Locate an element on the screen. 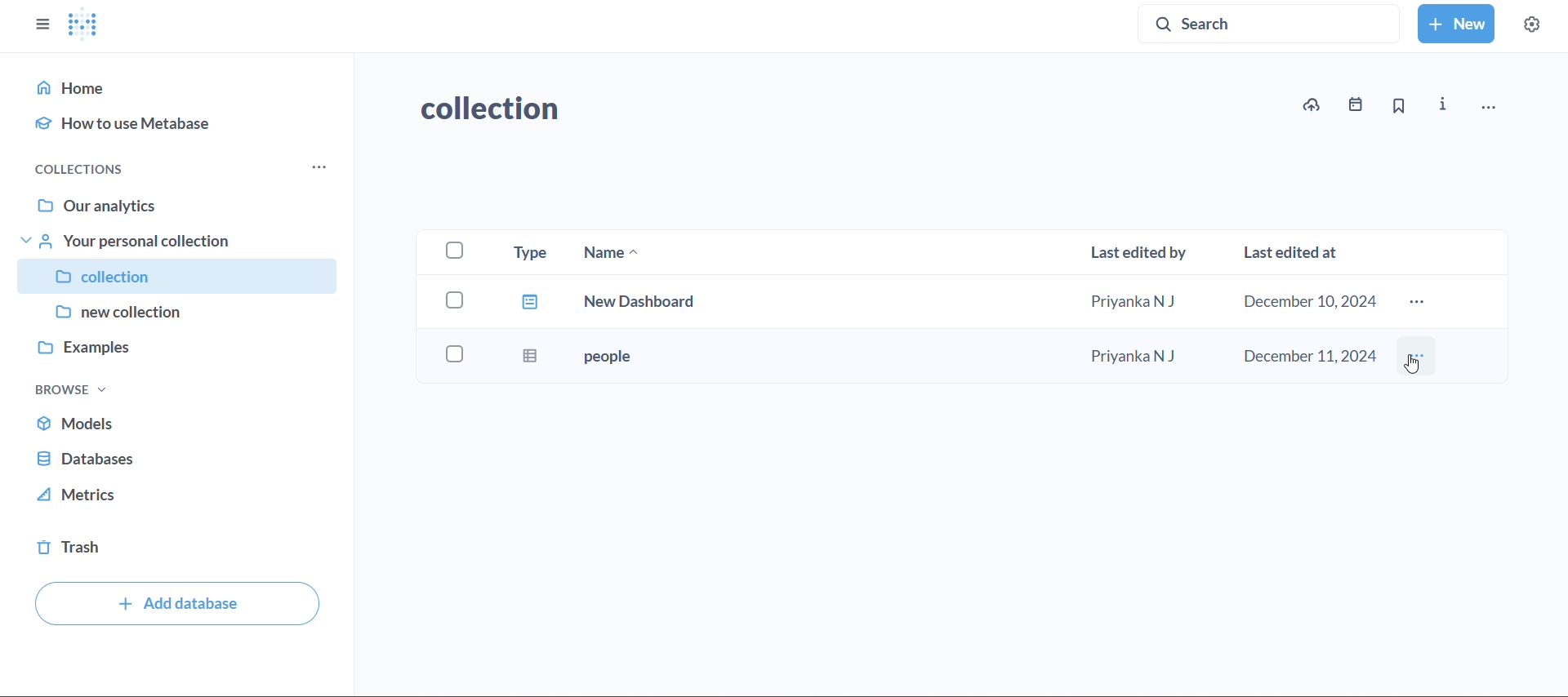 This screenshot has width=1568, height=697. close sidebars is located at coordinates (42, 23).